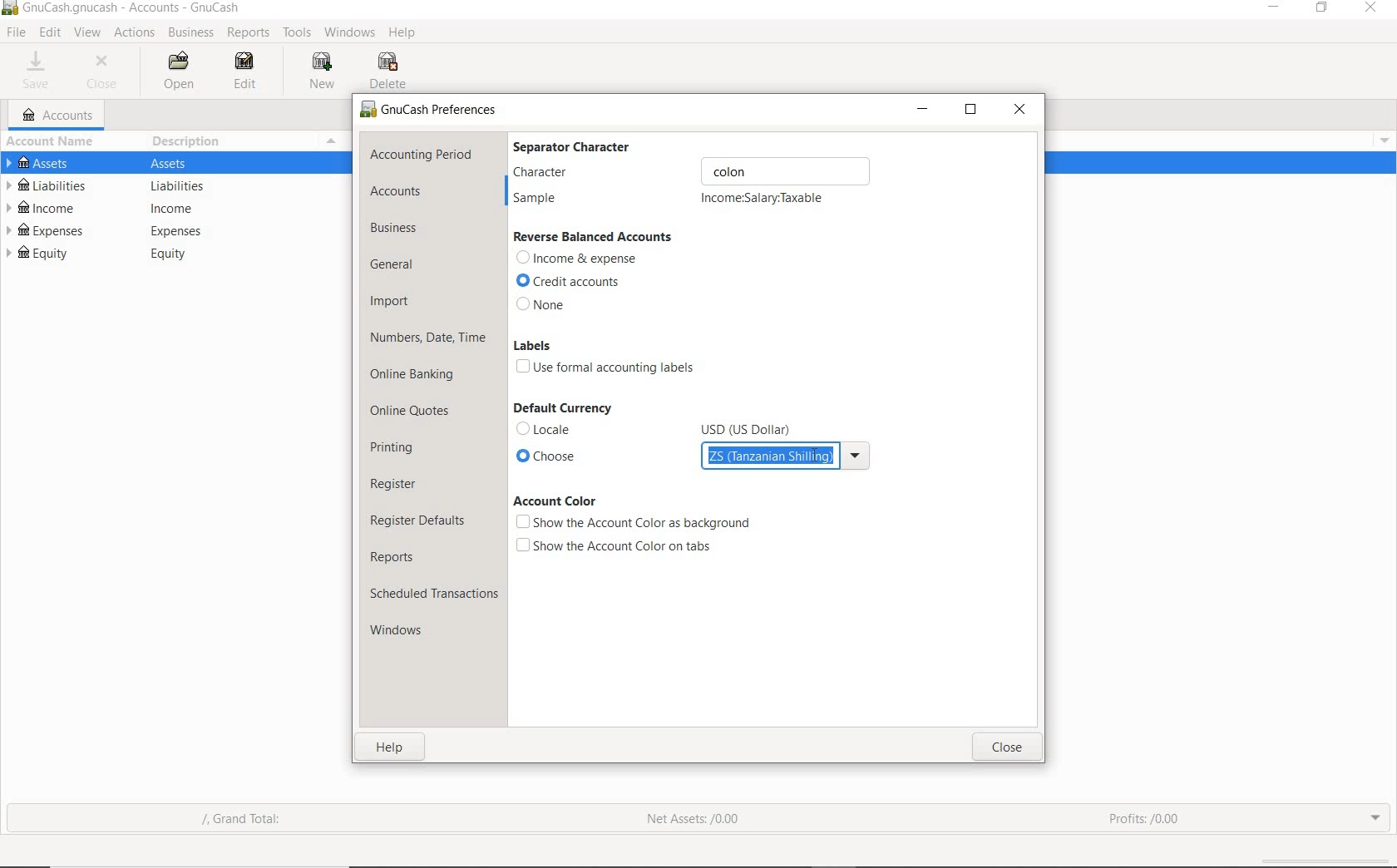 The height and width of the screenshot is (868, 1397). What do you see at coordinates (15, 33) in the screenshot?
I see `FILE` at bounding box center [15, 33].